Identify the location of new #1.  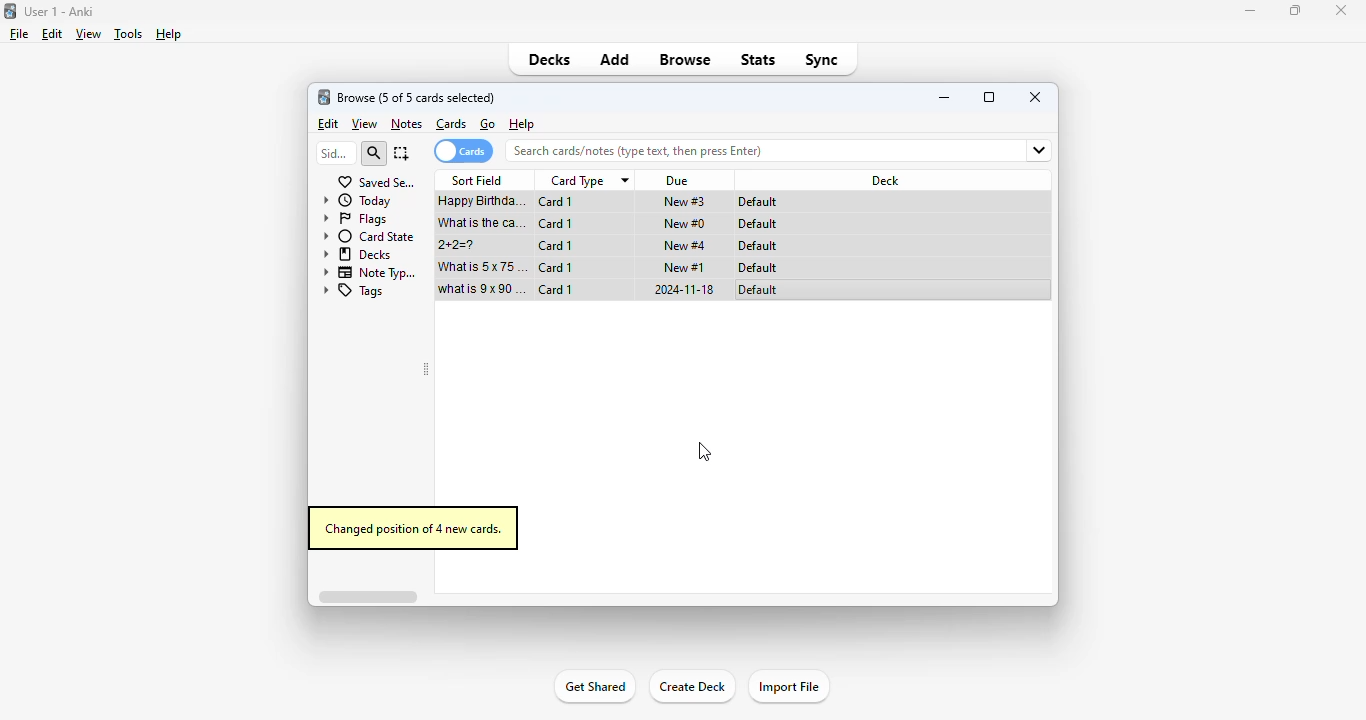
(685, 268).